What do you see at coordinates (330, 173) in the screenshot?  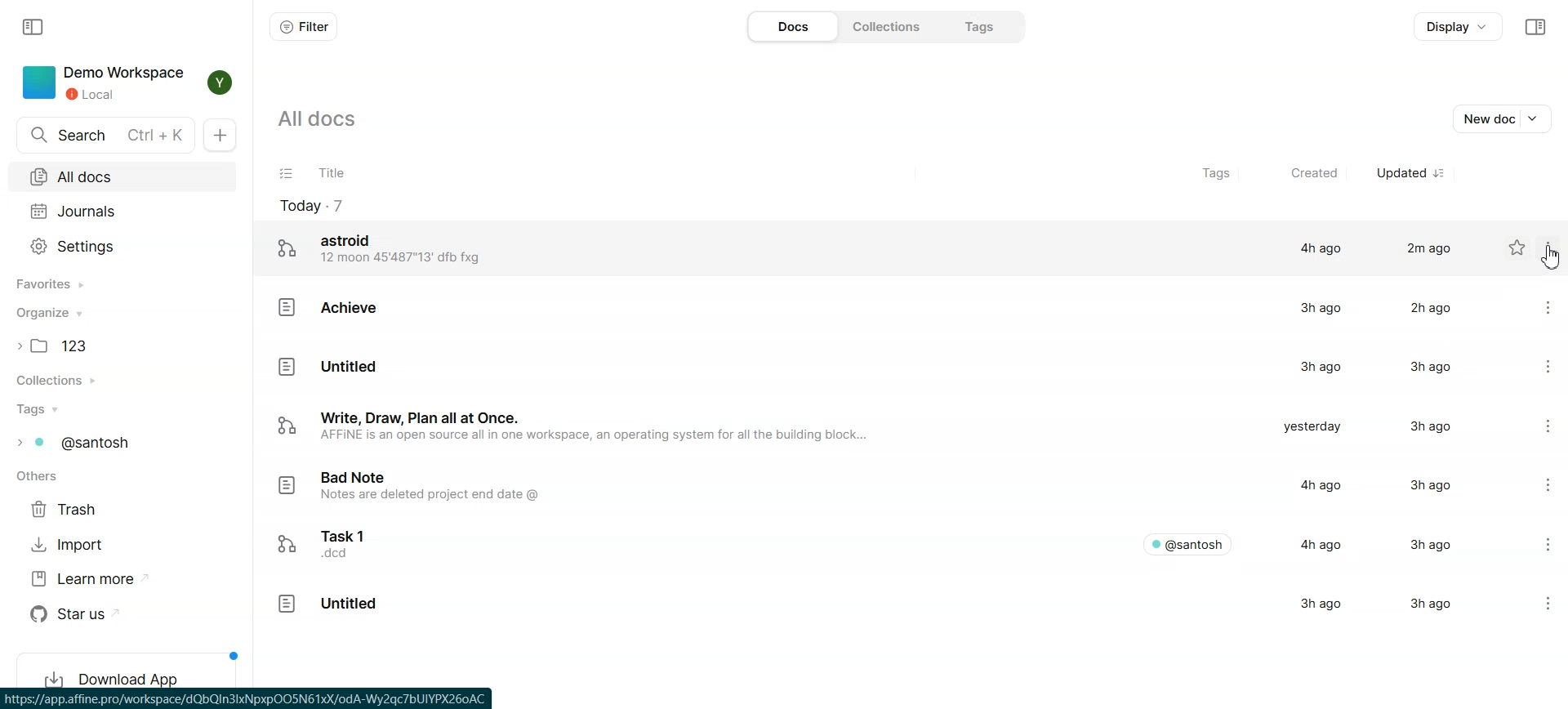 I see `Title` at bounding box center [330, 173].